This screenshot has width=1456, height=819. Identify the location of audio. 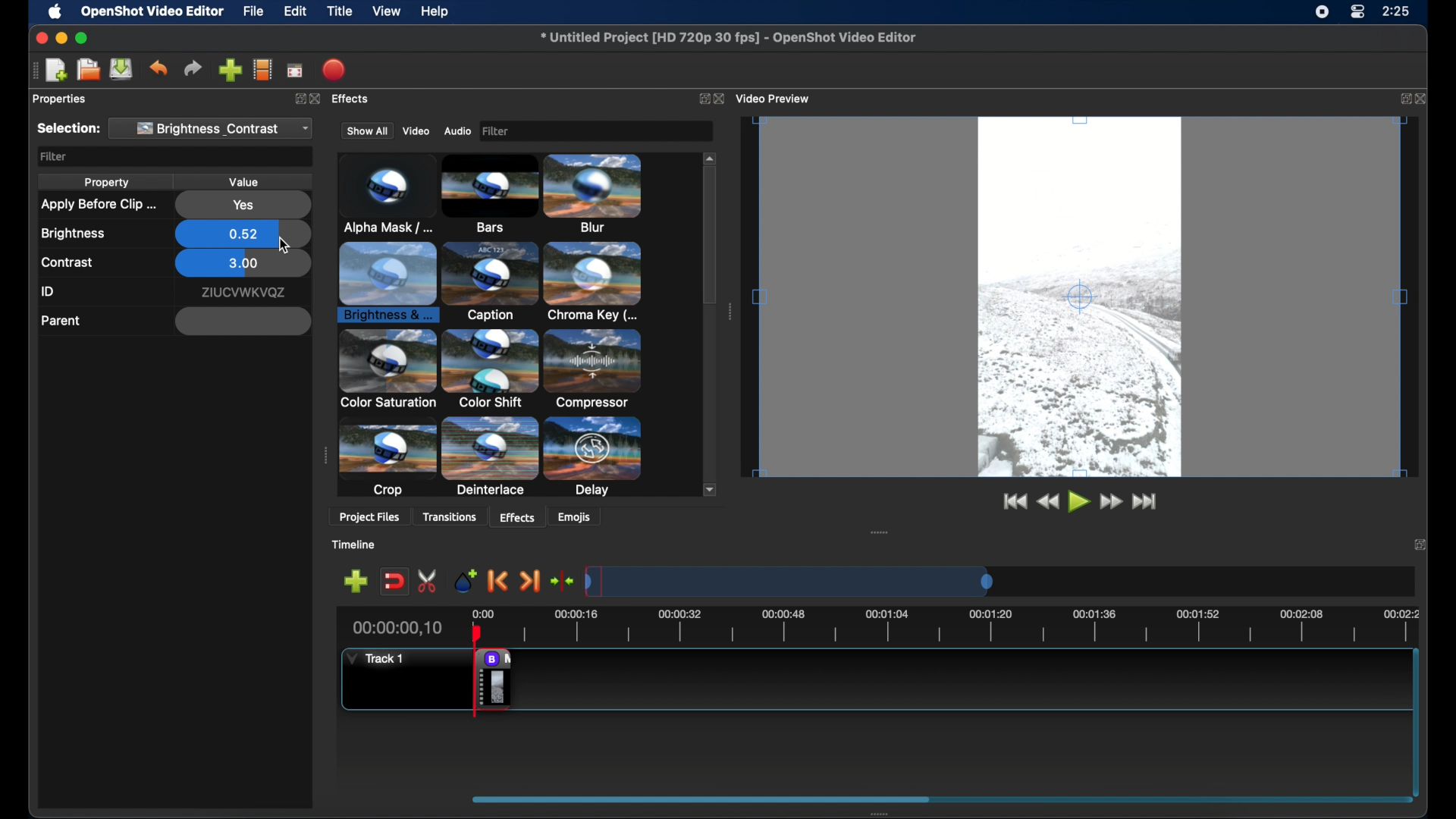
(458, 130).